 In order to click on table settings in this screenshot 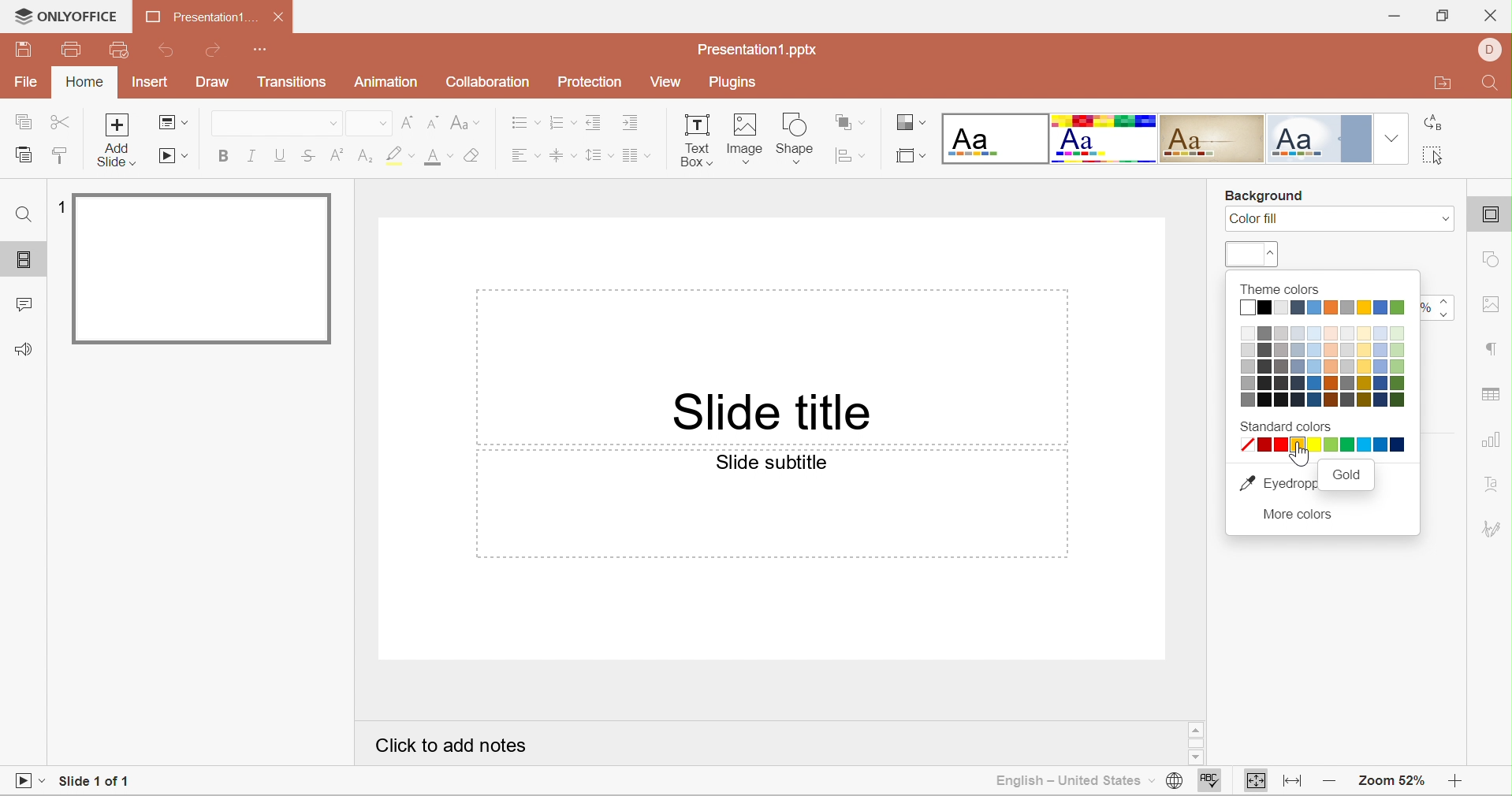, I will do `click(1492, 391)`.